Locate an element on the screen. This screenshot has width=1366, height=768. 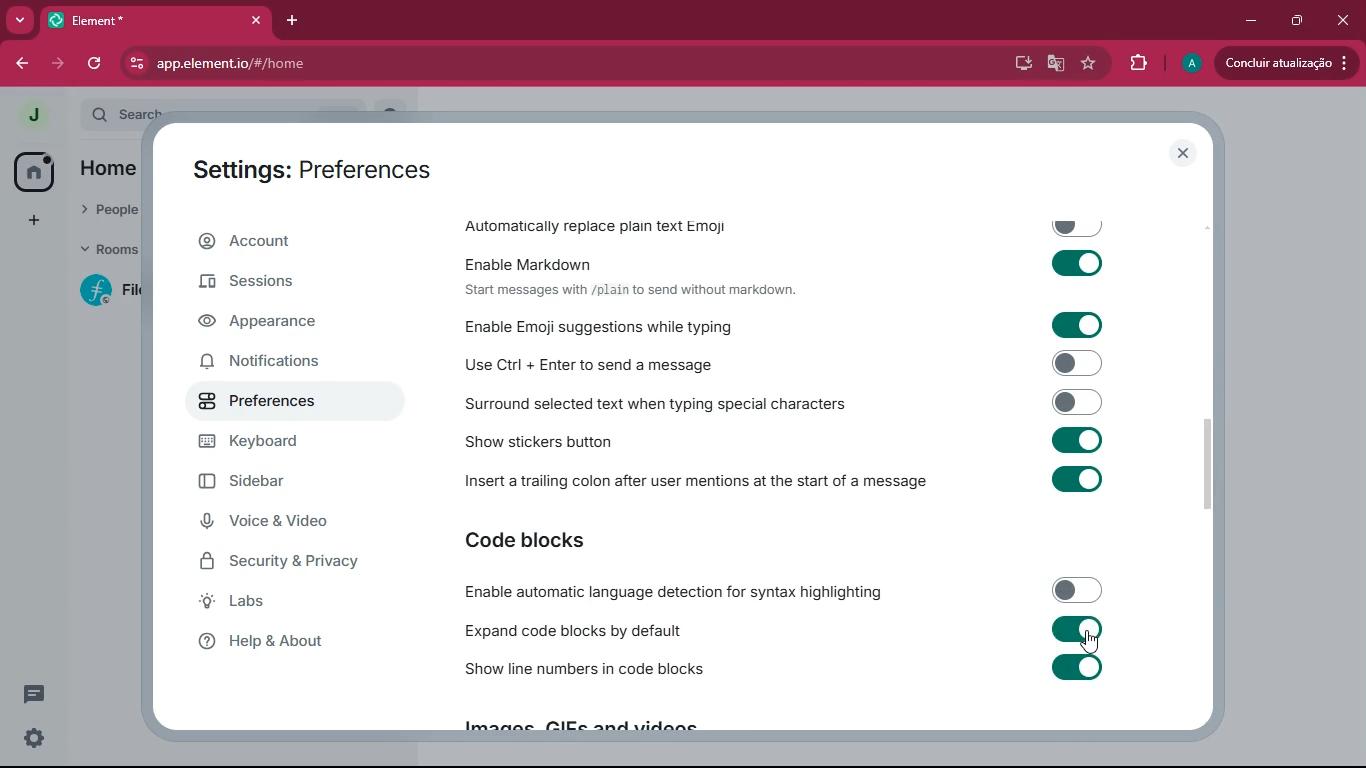
room is located at coordinates (102, 291).